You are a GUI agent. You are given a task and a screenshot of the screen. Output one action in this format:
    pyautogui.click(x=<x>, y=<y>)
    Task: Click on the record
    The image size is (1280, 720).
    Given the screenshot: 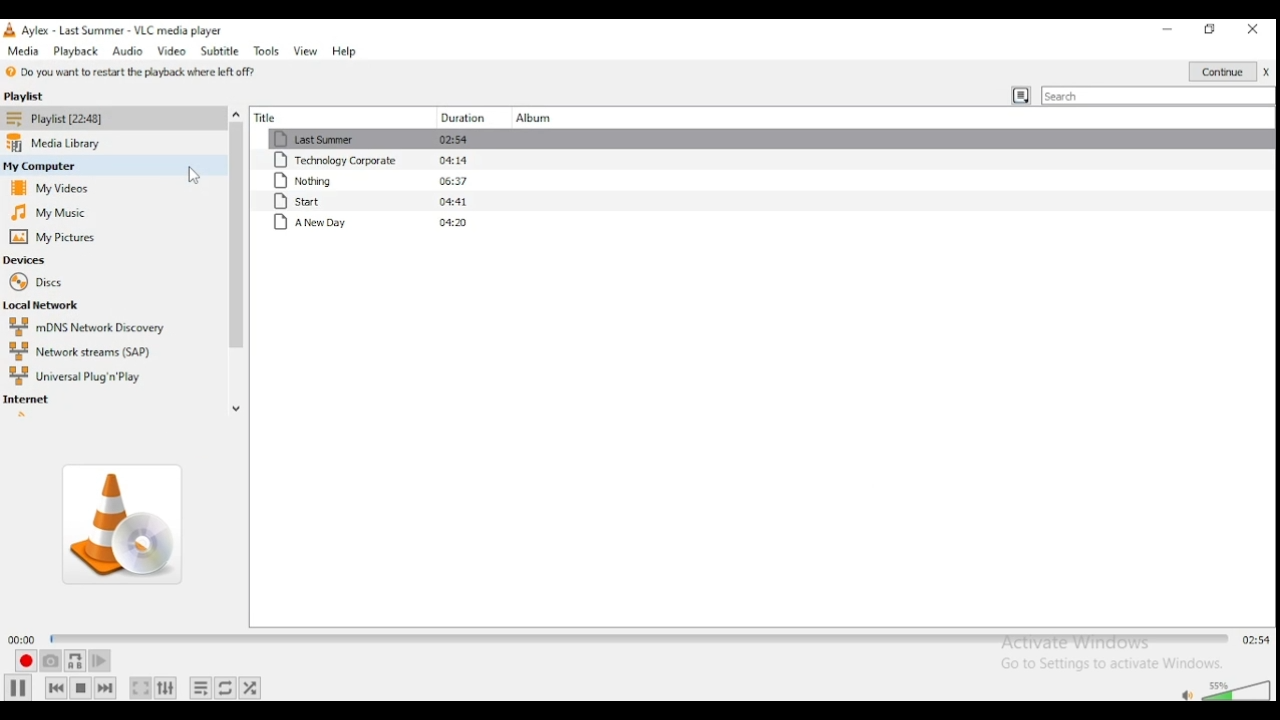 What is the action you would take?
    pyautogui.click(x=24, y=661)
    